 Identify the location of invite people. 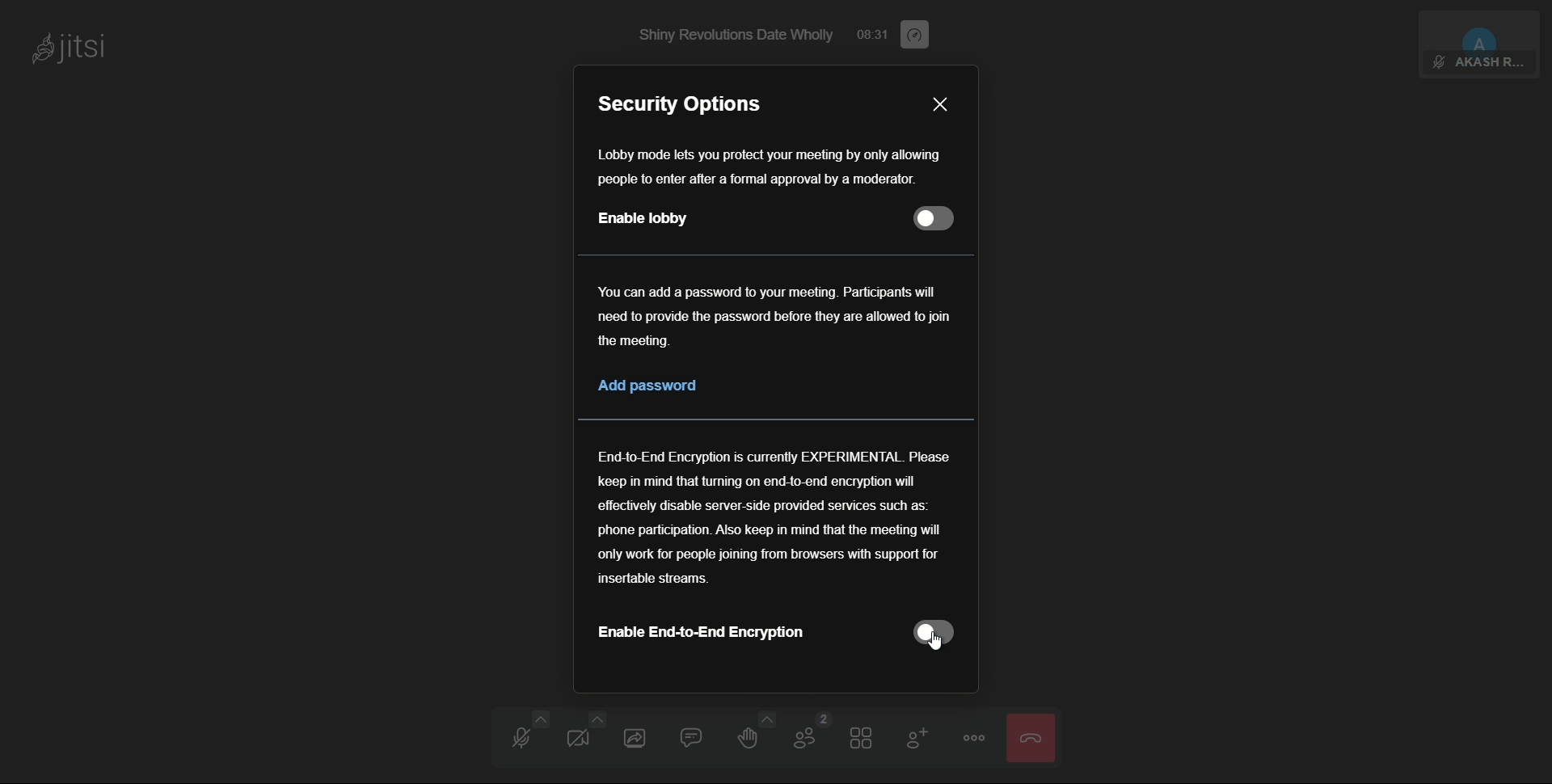
(916, 735).